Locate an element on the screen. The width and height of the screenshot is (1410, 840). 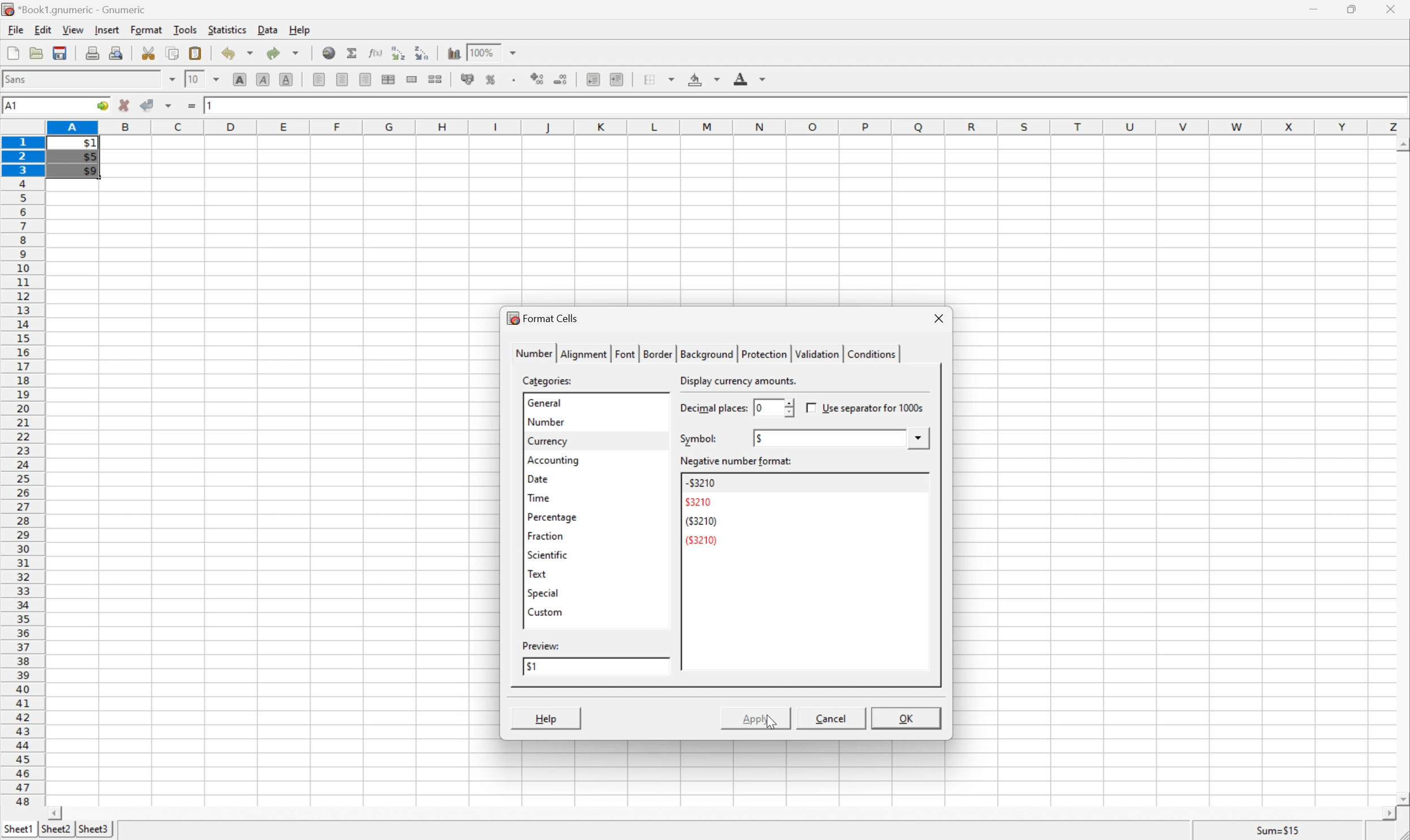
sum=15 is located at coordinates (1278, 830).